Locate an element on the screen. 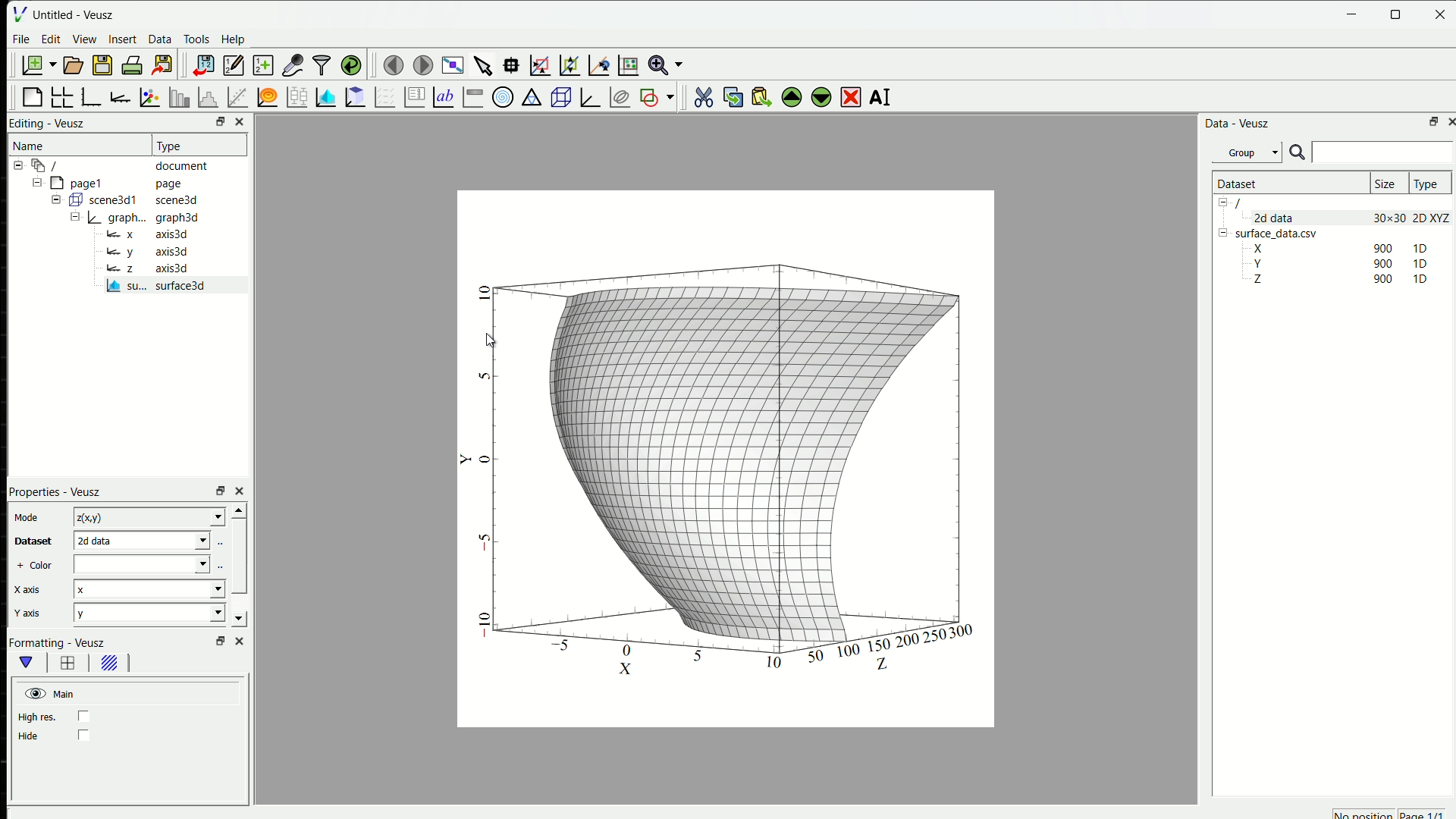 This screenshot has height=819, width=1456. axis3d is located at coordinates (171, 268).